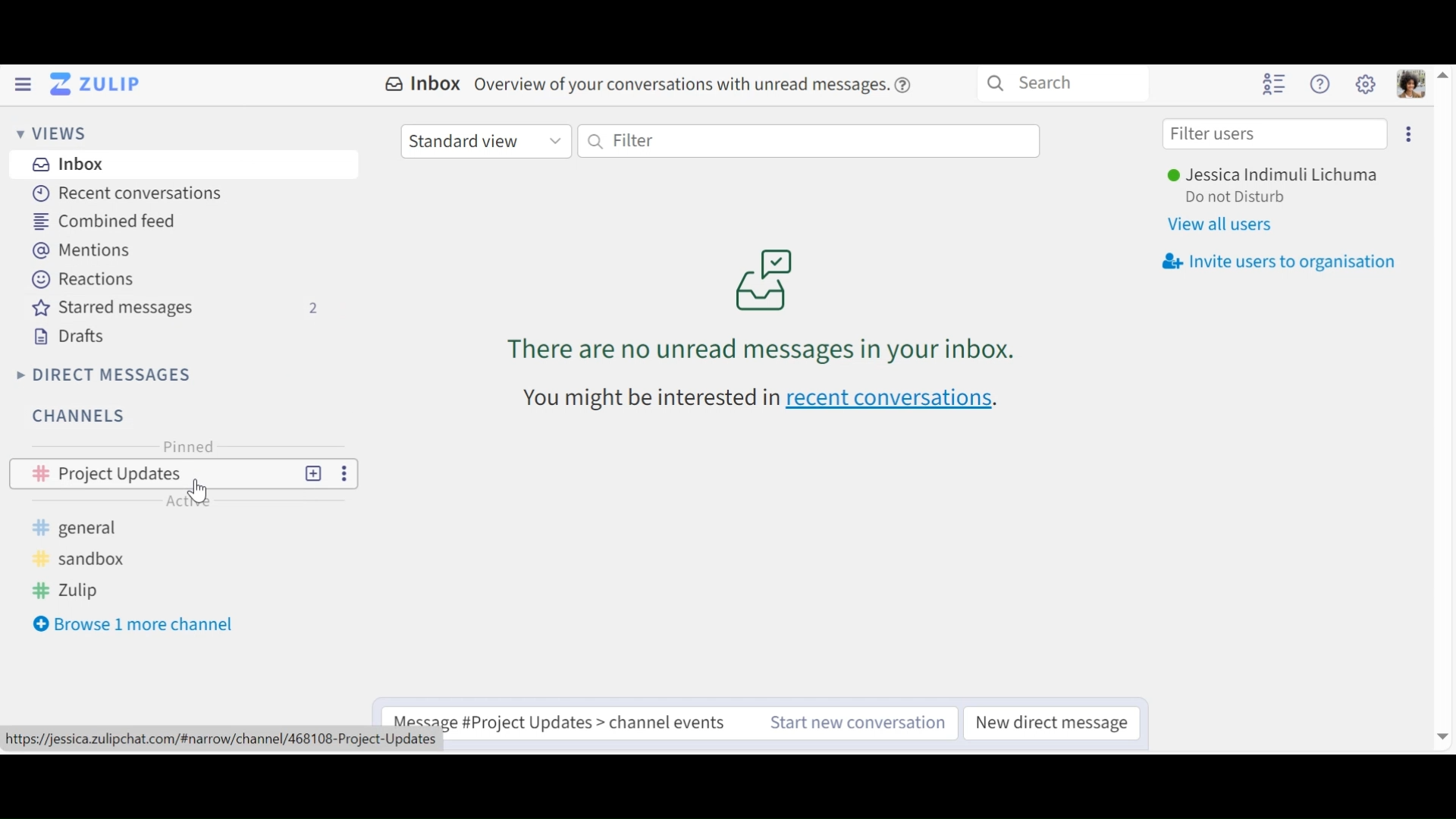 The width and height of the screenshot is (1456, 819). I want to click on Hide user list, so click(1276, 83).